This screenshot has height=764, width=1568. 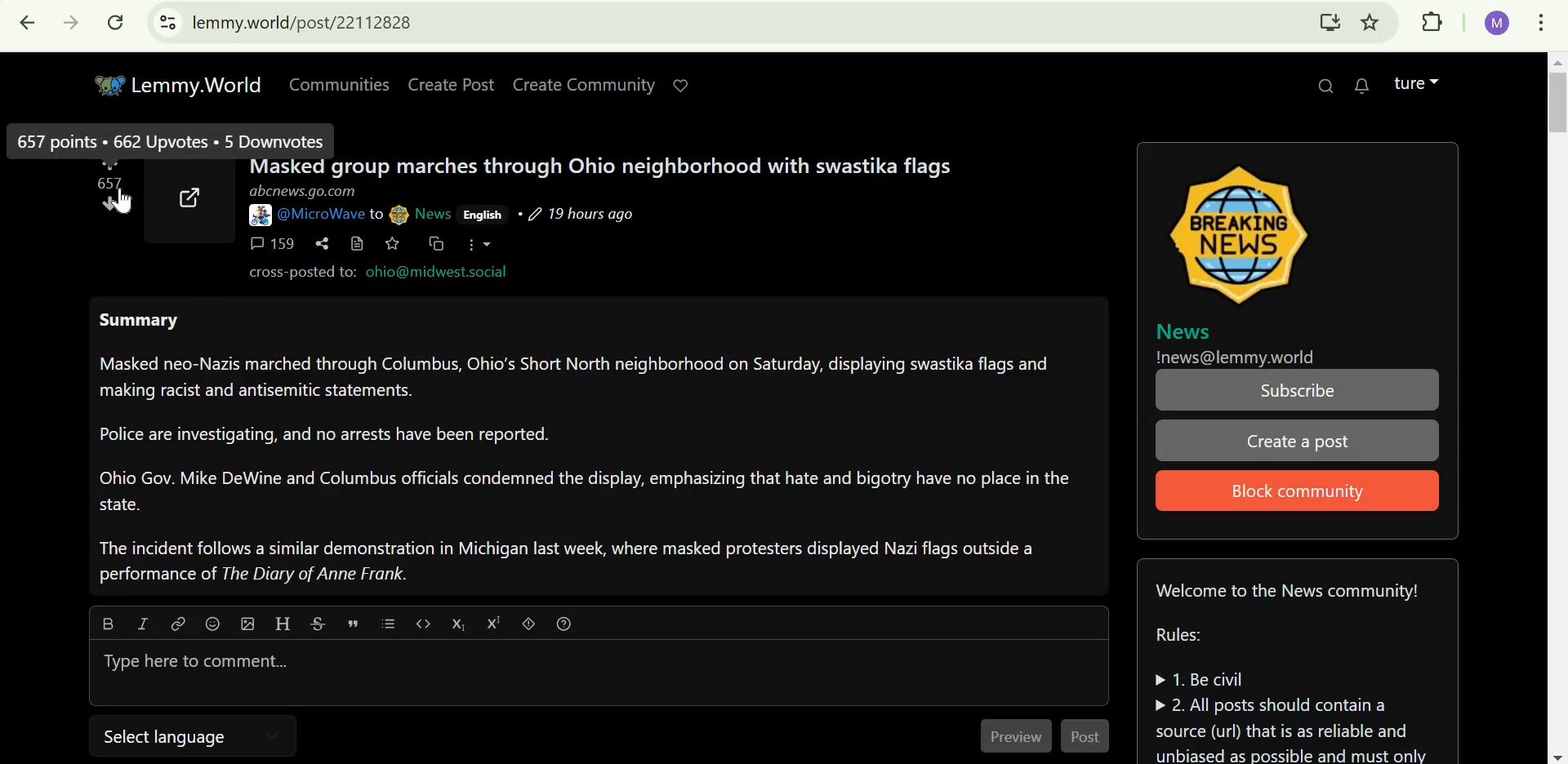 What do you see at coordinates (359, 242) in the screenshot?
I see `view source` at bounding box center [359, 242].